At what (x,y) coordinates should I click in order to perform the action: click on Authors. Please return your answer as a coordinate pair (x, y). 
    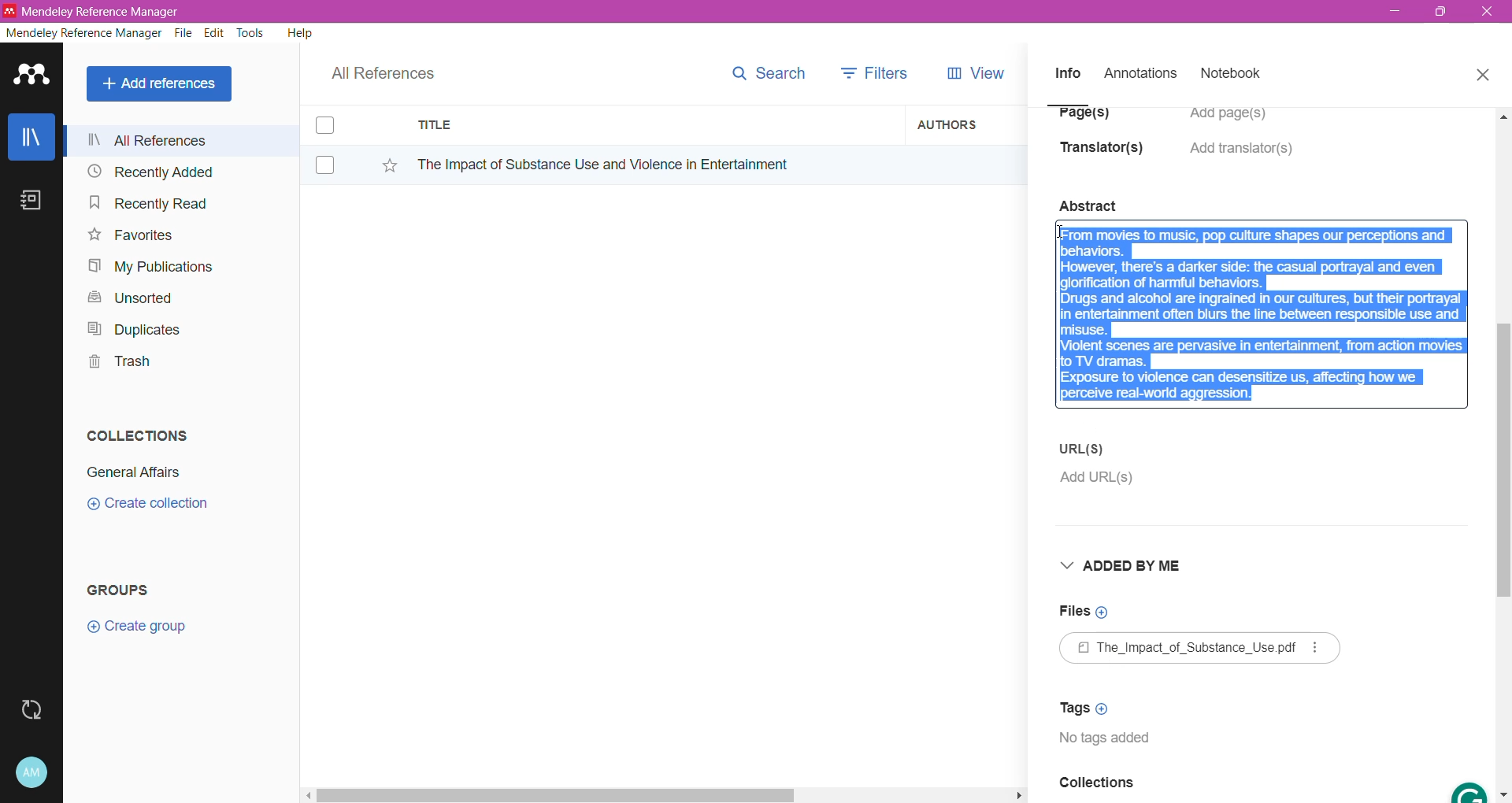
    Looking at the image, I should click on (966, 124).